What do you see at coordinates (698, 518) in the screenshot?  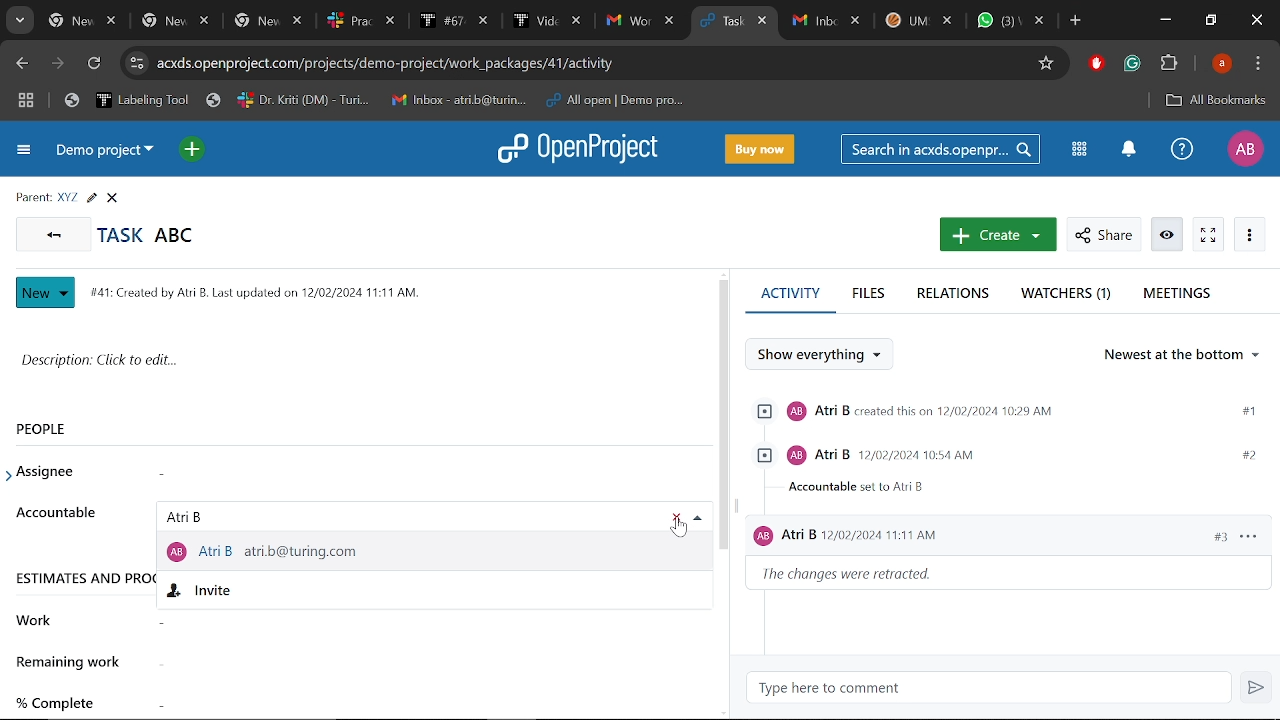 I see `Hide` at bounding box center [698, 518].